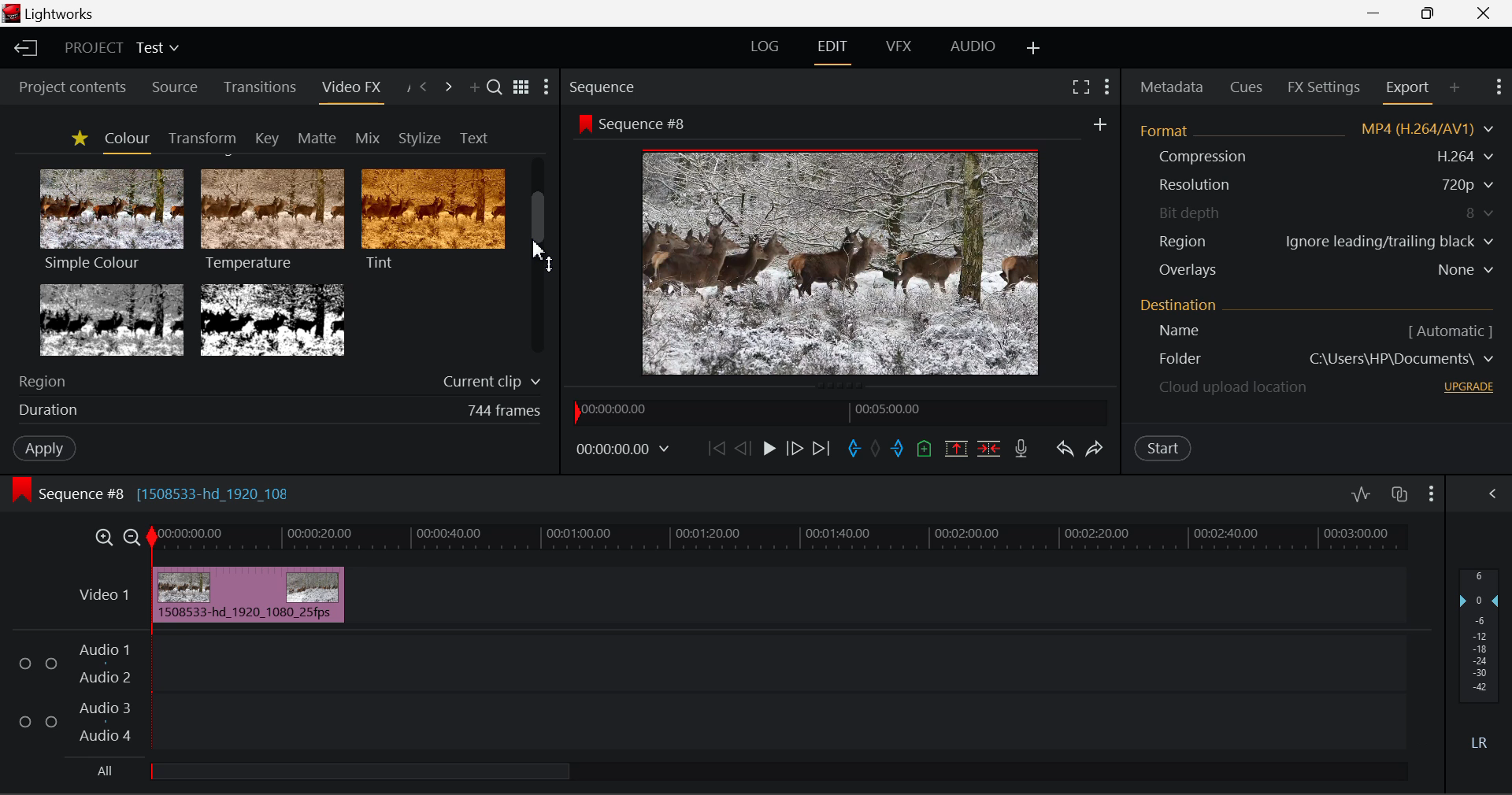 The image size is (1512, 795). Describe the element at coordinates (134, 537) in the screenshot. I see `Timeline Zoom Out` at that location.